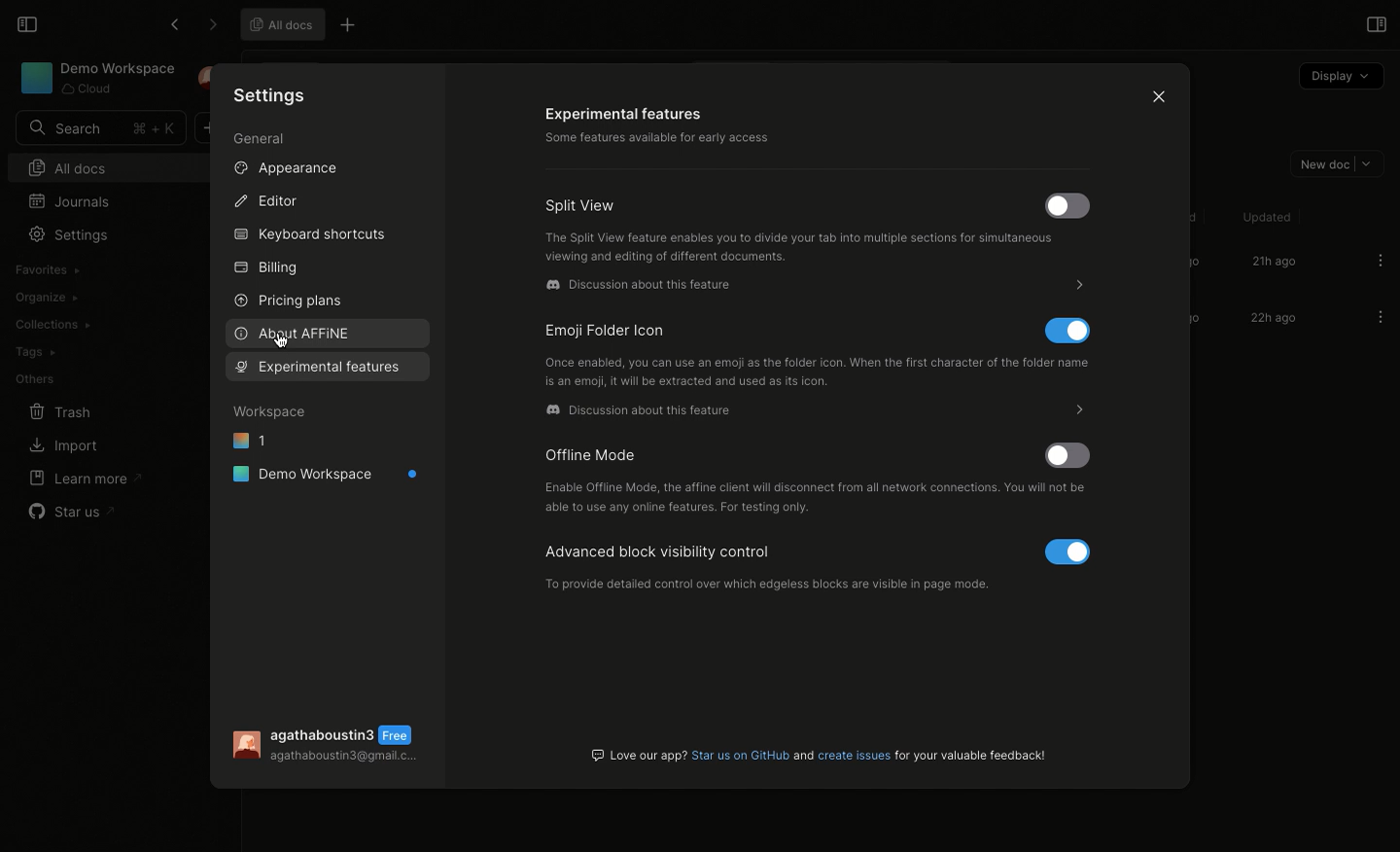  What do you see at coordinates (52, 325) in the screenshot?
I see `Collections` at bounding box center [52, 325].